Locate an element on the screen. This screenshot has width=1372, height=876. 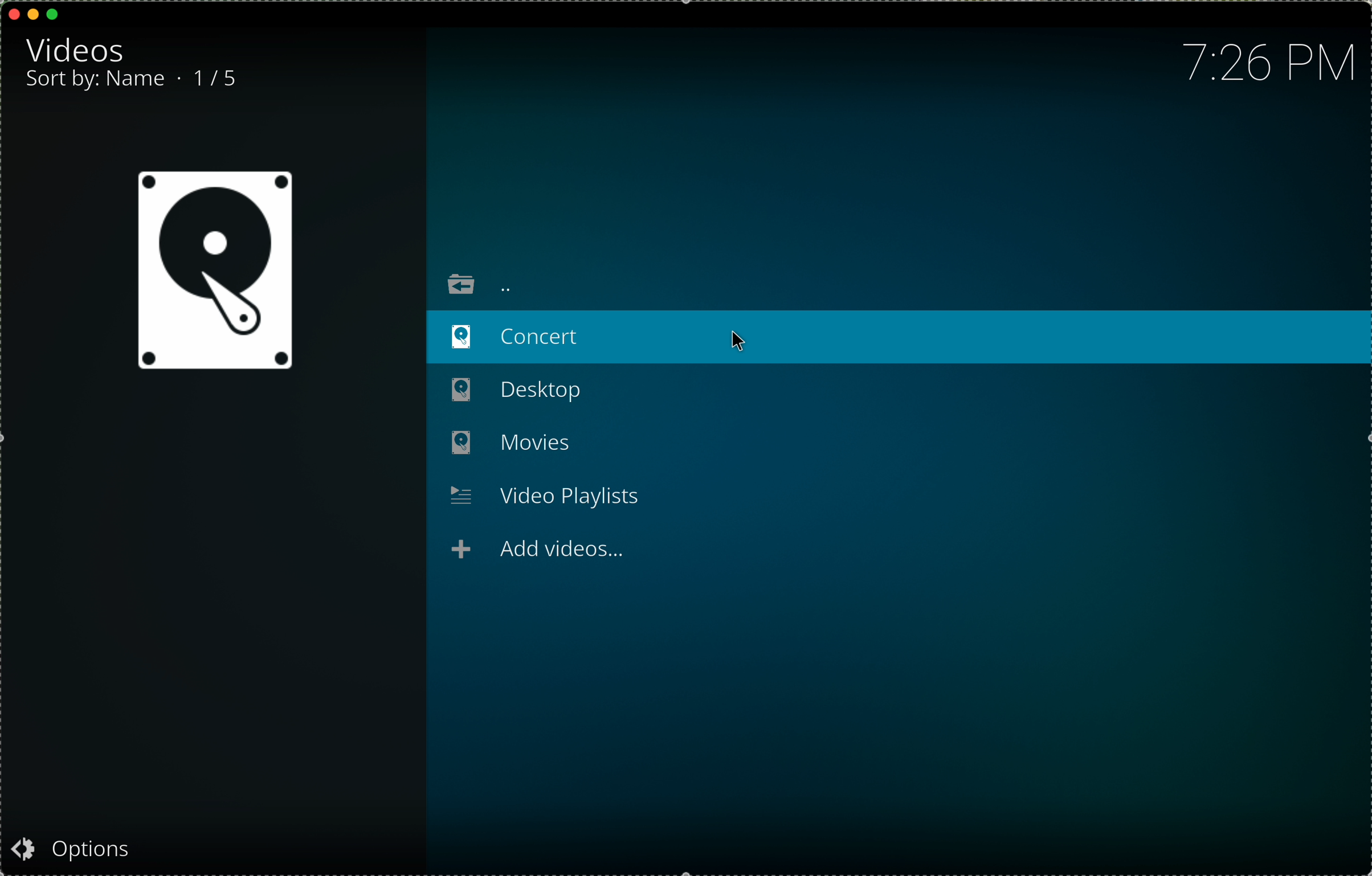
sort by: name is located at coordinates (95, 83).